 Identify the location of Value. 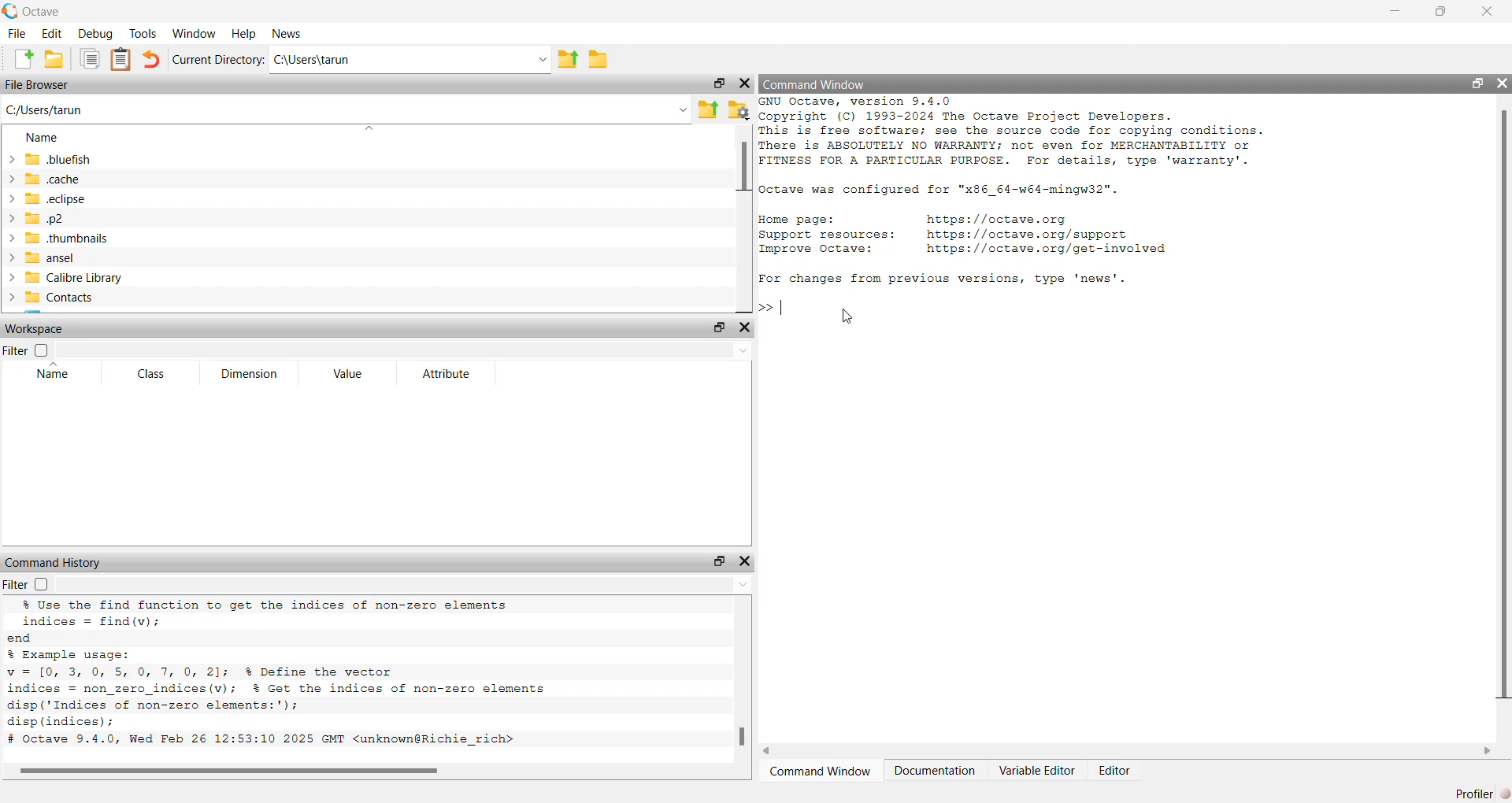
(347, 375).